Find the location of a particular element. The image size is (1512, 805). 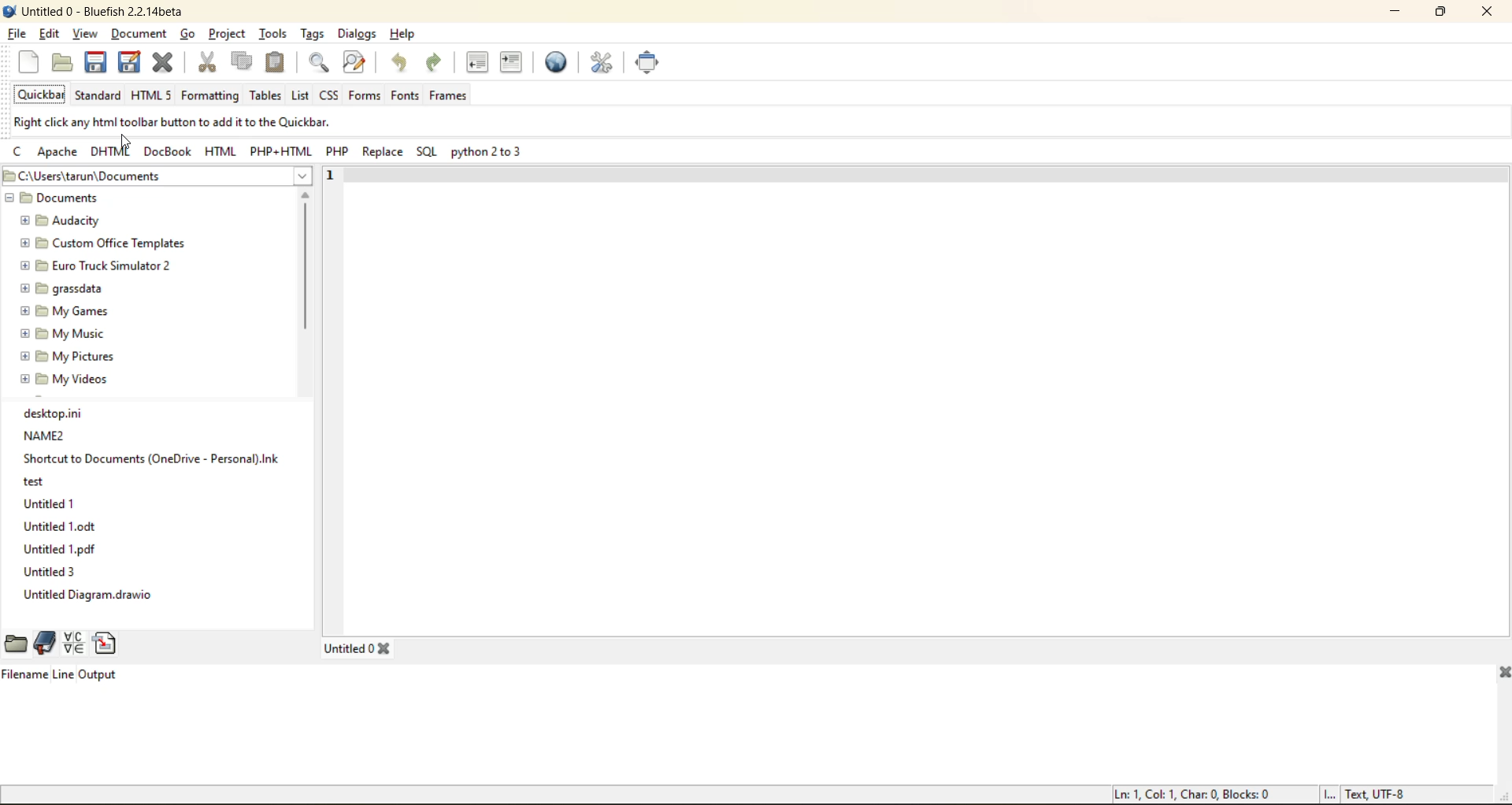

view is located at coordinates (85, 35).